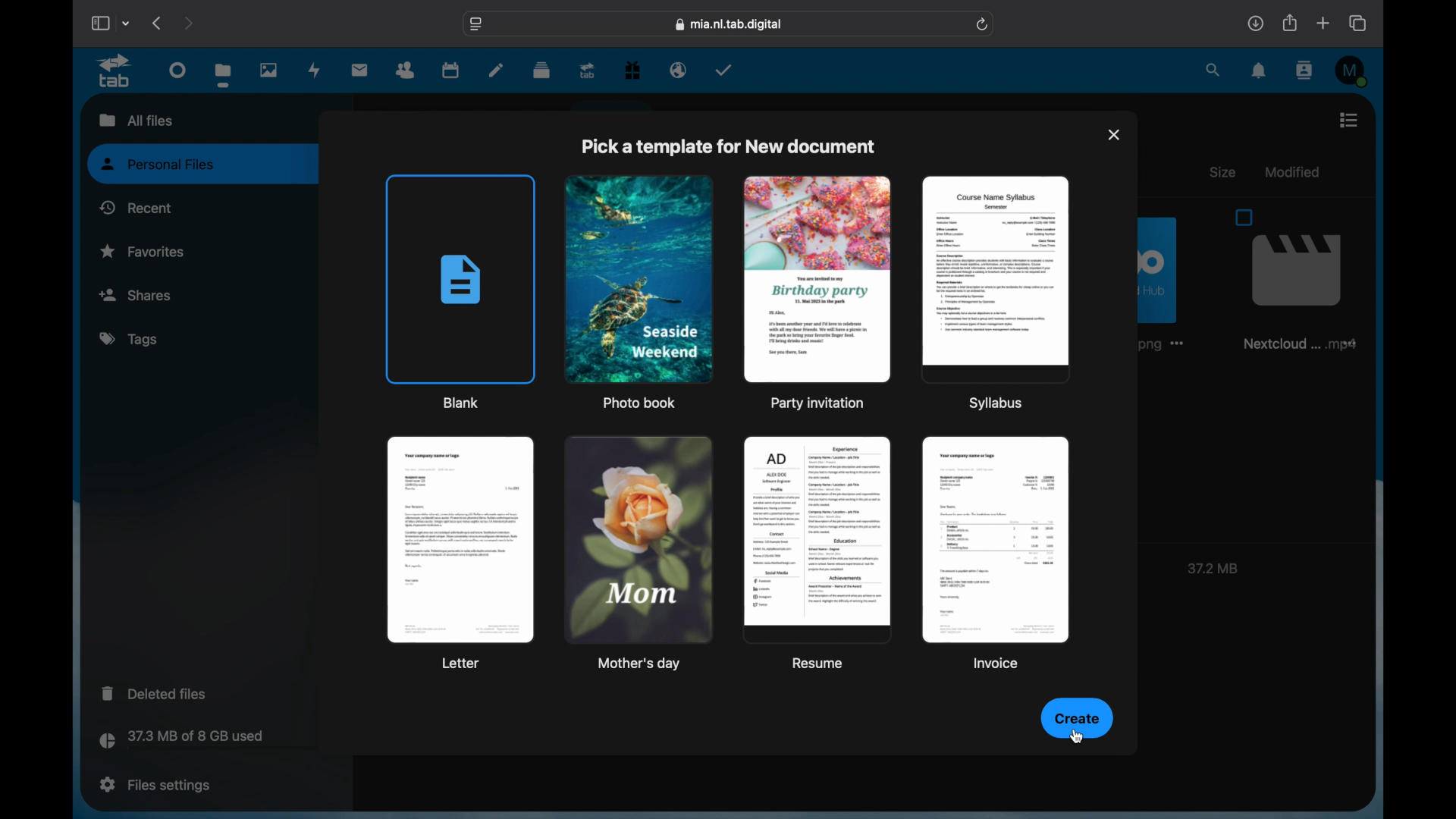  What do you see at coordinates (1225, 172) in the screenshot?
I see `size` at bounding box center [1225, 172].